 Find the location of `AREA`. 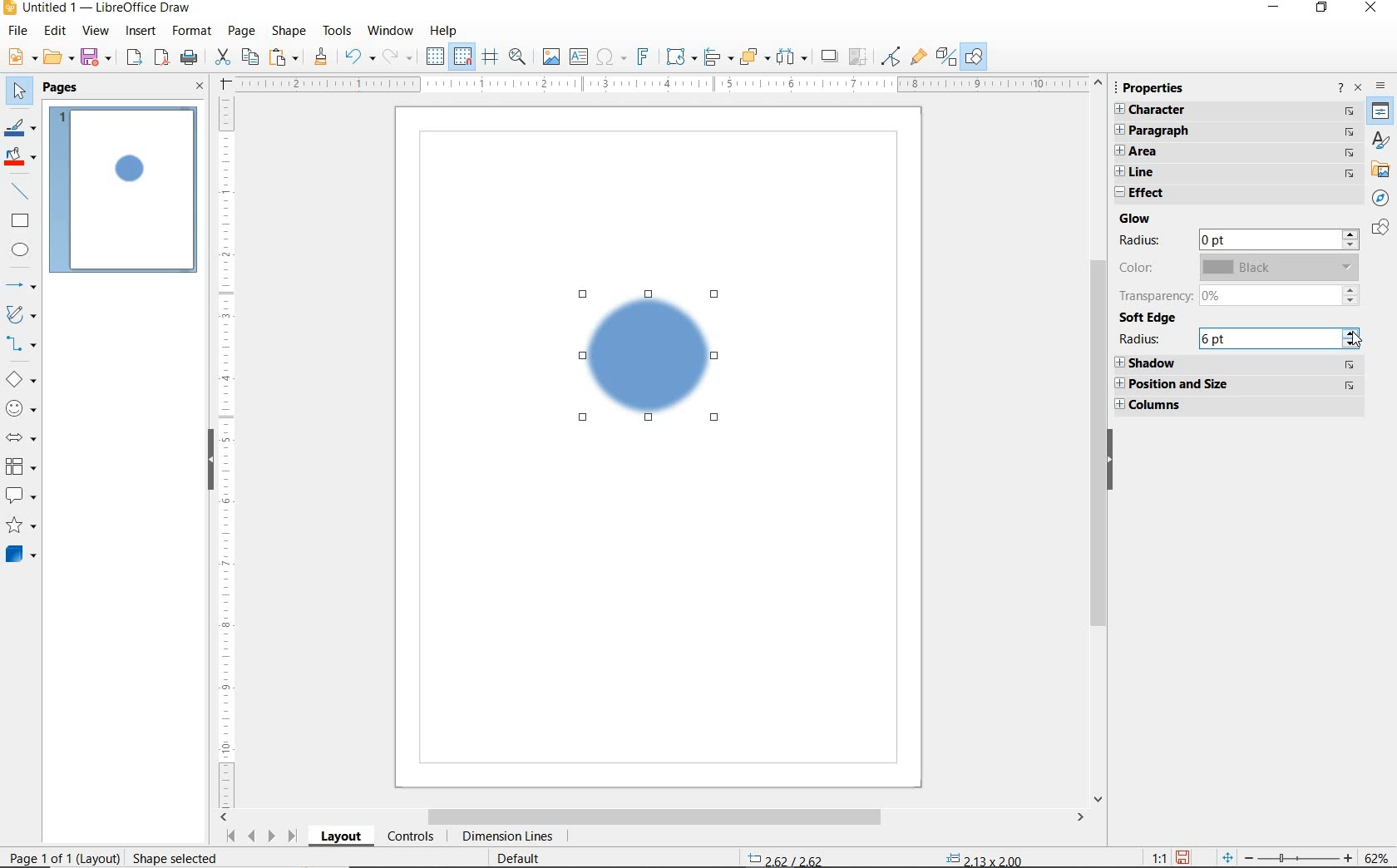

AREA is located at coordinates (1224, 152).